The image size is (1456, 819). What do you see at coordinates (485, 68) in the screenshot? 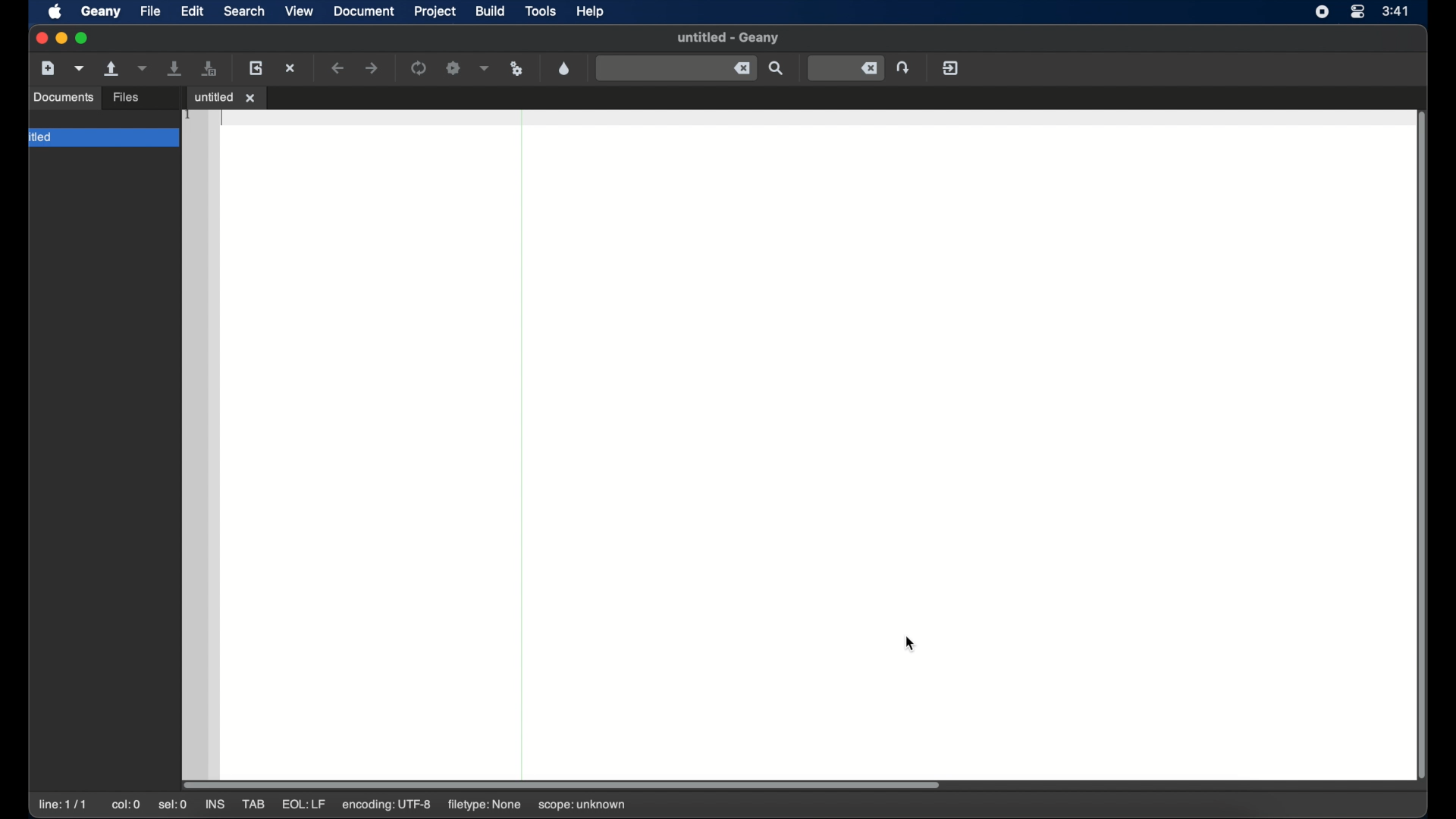
I see `choose more build actions` at bounding box center [485, 68].